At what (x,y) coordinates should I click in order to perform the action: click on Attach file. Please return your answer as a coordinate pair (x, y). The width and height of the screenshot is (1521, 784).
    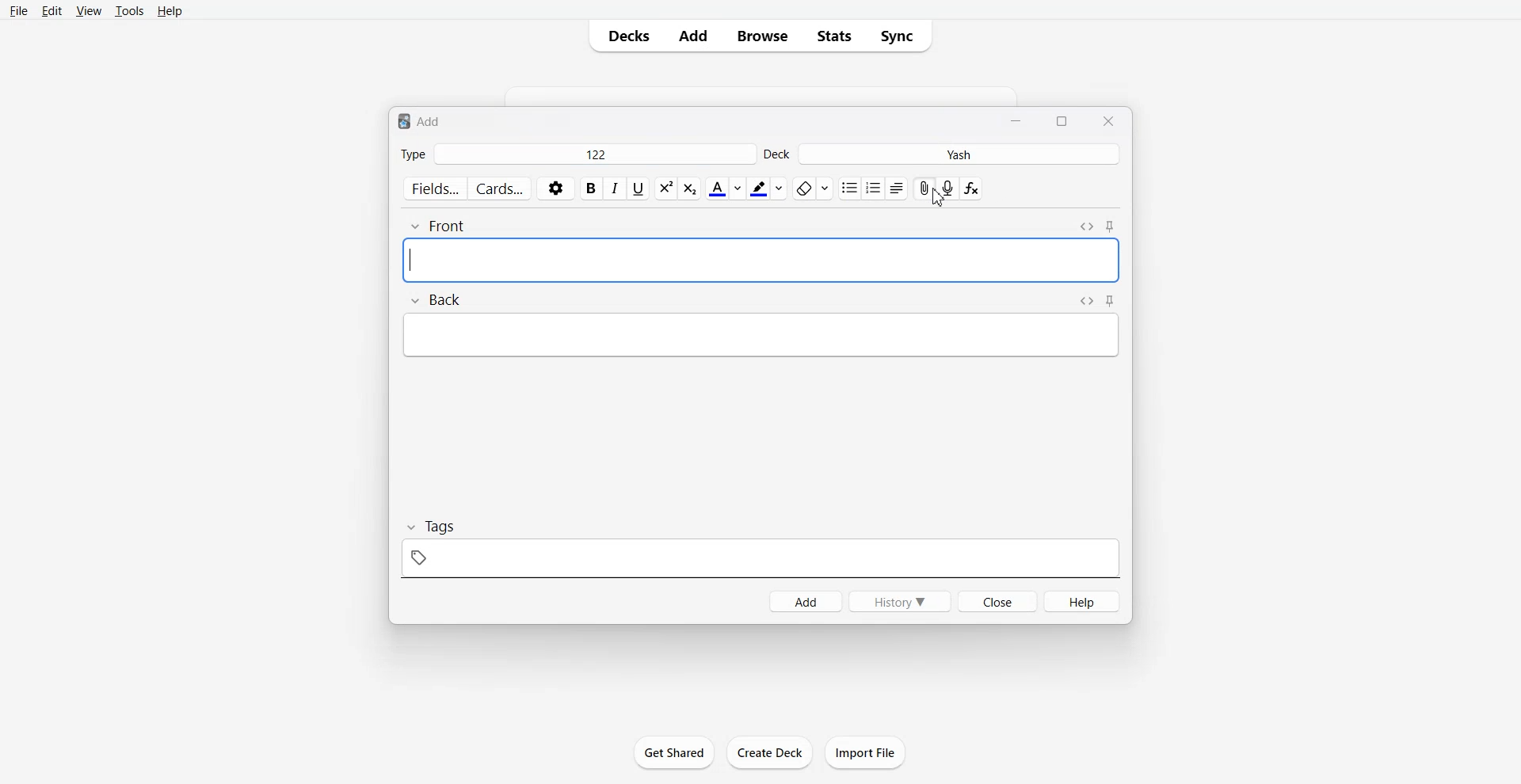
    Looking at the image, I should click on (924, 188).